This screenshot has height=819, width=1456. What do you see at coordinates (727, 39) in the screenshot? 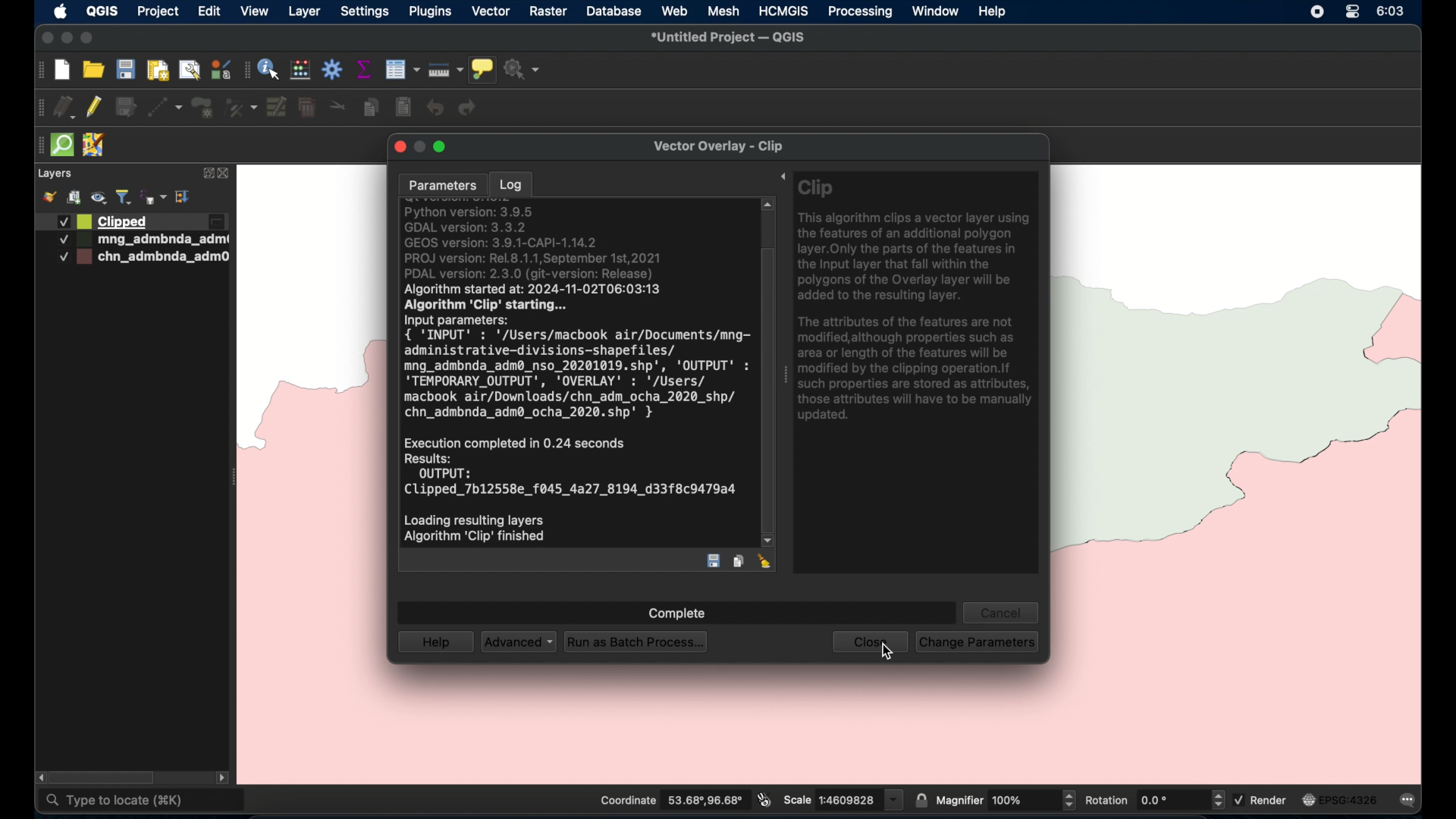
I see `untitled project - QGIS` at bounding box center [727, 39].